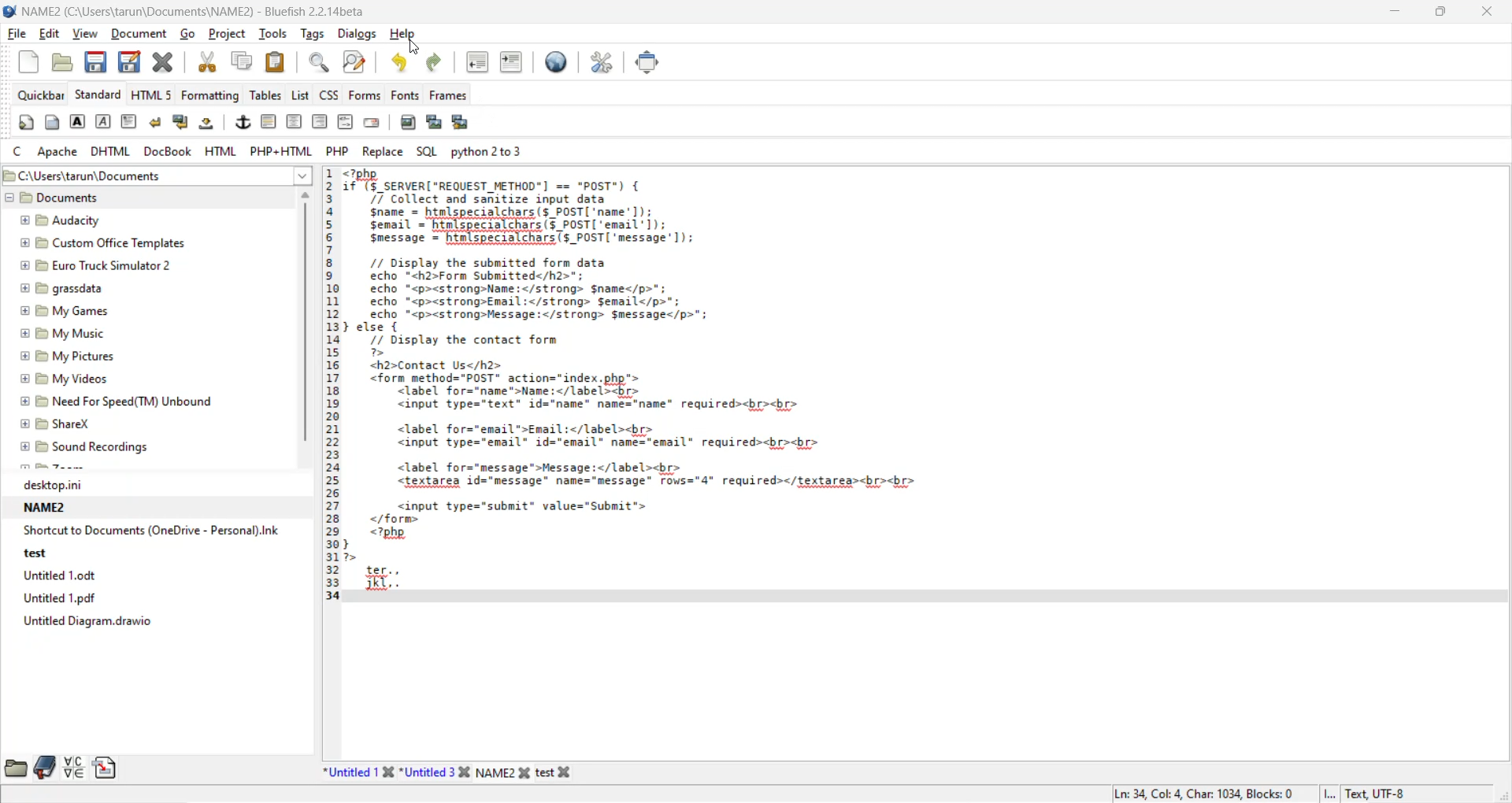  Describe the element at coordinates (316, 35) in the screenshot. I see `tags` at that location.